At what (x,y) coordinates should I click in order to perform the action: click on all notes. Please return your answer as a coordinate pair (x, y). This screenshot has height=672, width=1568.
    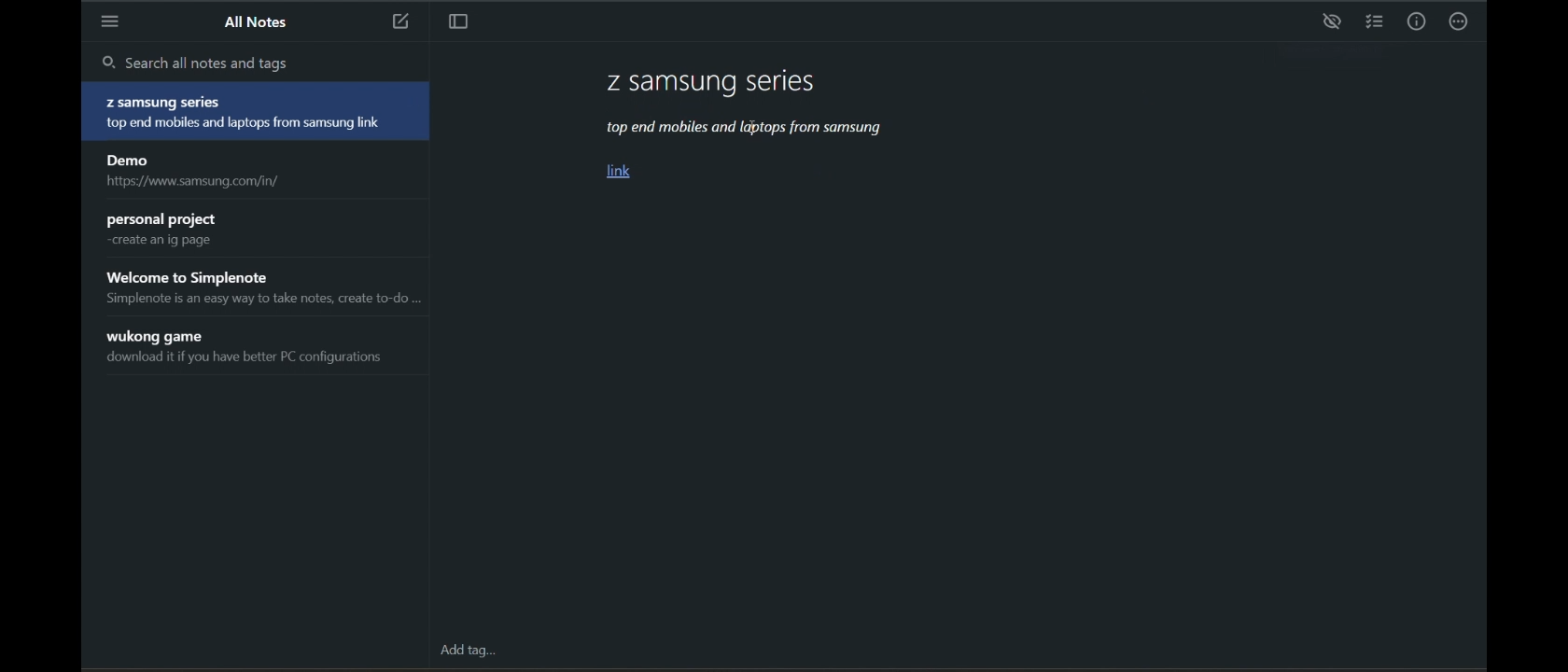
    Looking at the image, I should click on (260, 24).